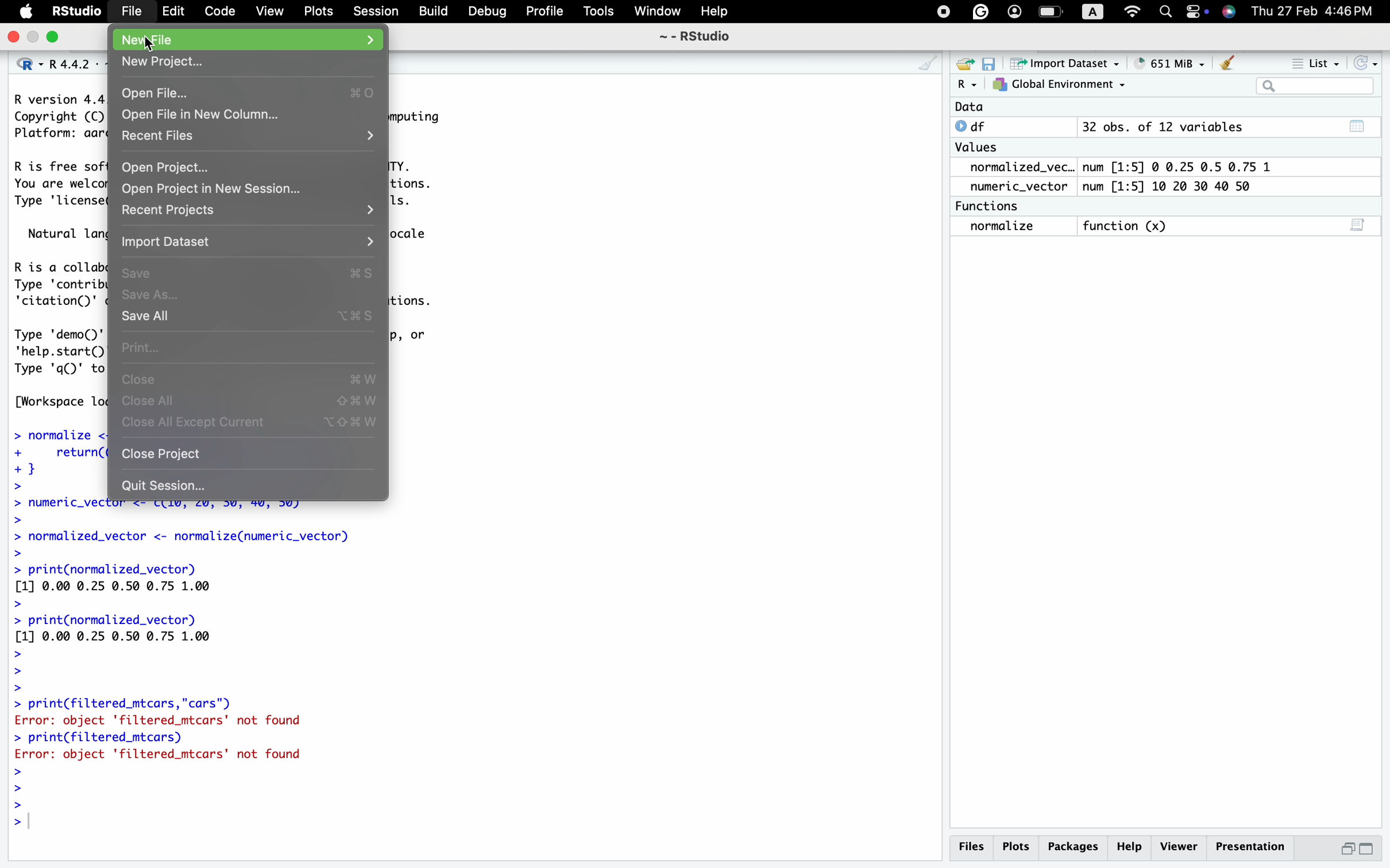 This screenshot has width=1390, height=868. Describe the element at coordinates (250, 379) in the screenshot. I see `Close` at that location.